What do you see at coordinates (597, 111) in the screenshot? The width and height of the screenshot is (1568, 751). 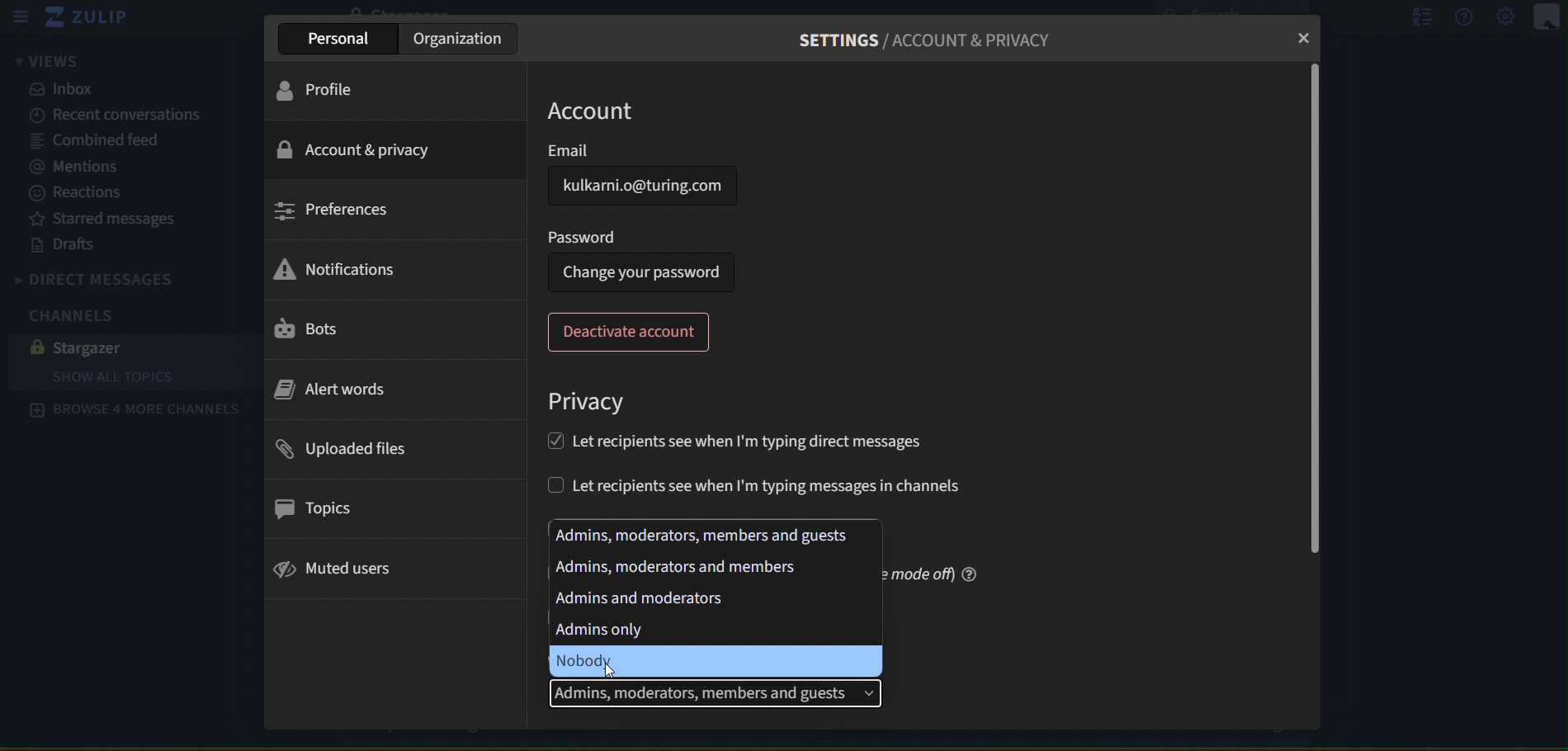 I see `account` at bounding box center [597, 111].